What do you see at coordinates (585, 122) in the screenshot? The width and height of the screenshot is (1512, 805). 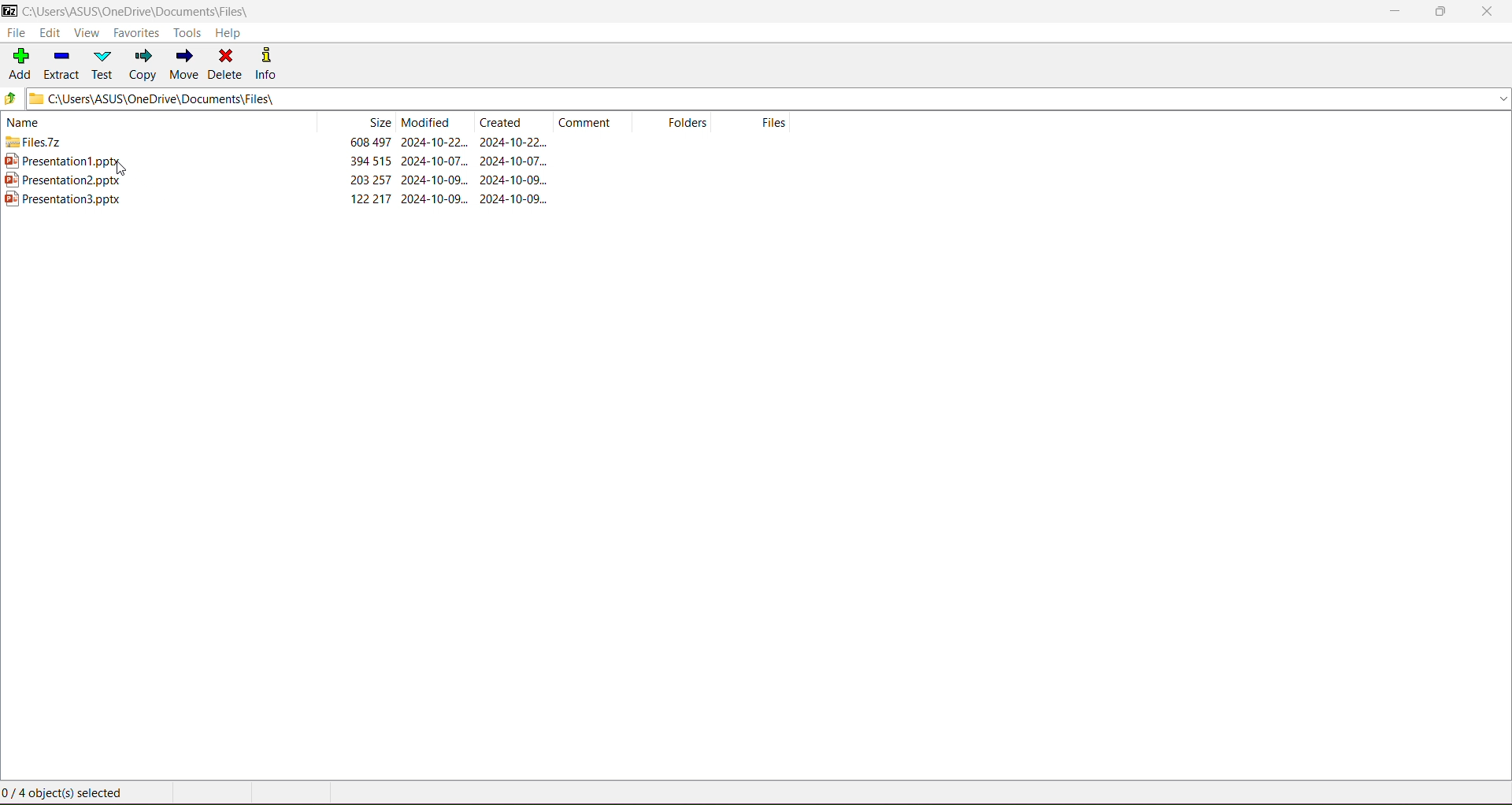 I see `comment` at bounding box center [585, 122].